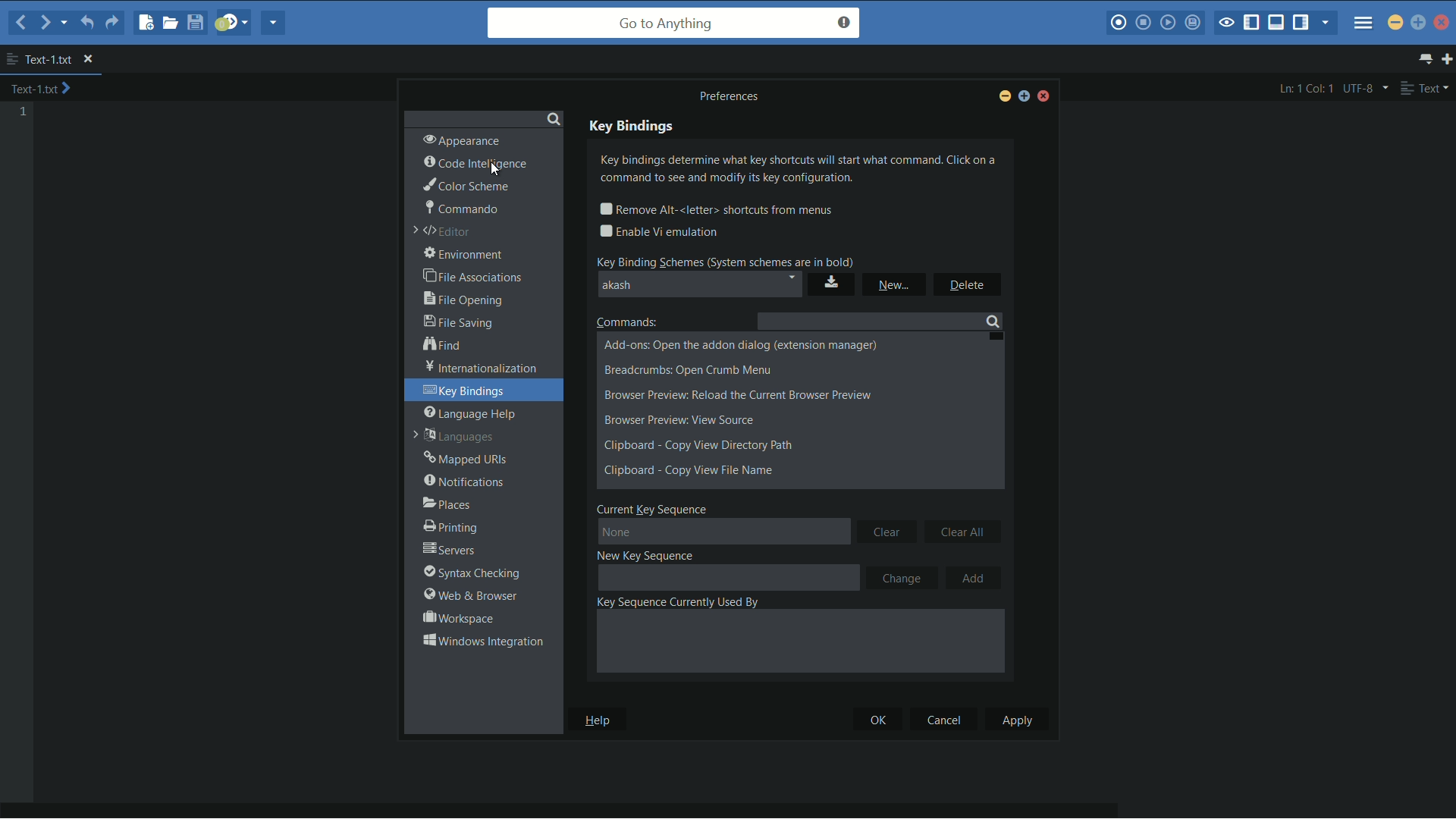 The height and width of the screenshot is (819, 1456). I want to click on text, so click(1424, 88).